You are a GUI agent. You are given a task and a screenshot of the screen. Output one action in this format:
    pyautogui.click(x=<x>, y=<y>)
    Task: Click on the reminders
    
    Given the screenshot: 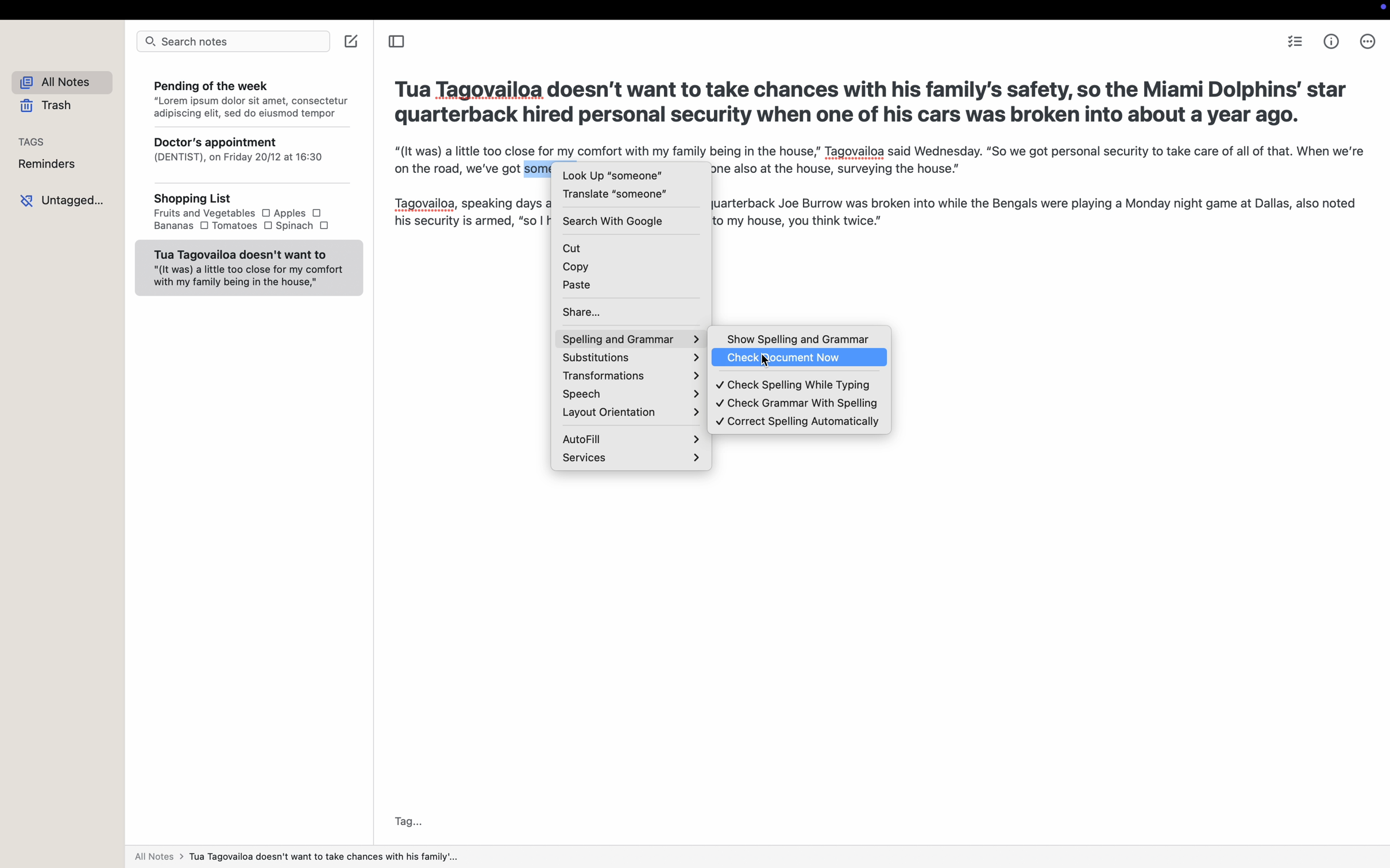 What is the action you would take?
    pyautogui.click(x=48, y=164)
    